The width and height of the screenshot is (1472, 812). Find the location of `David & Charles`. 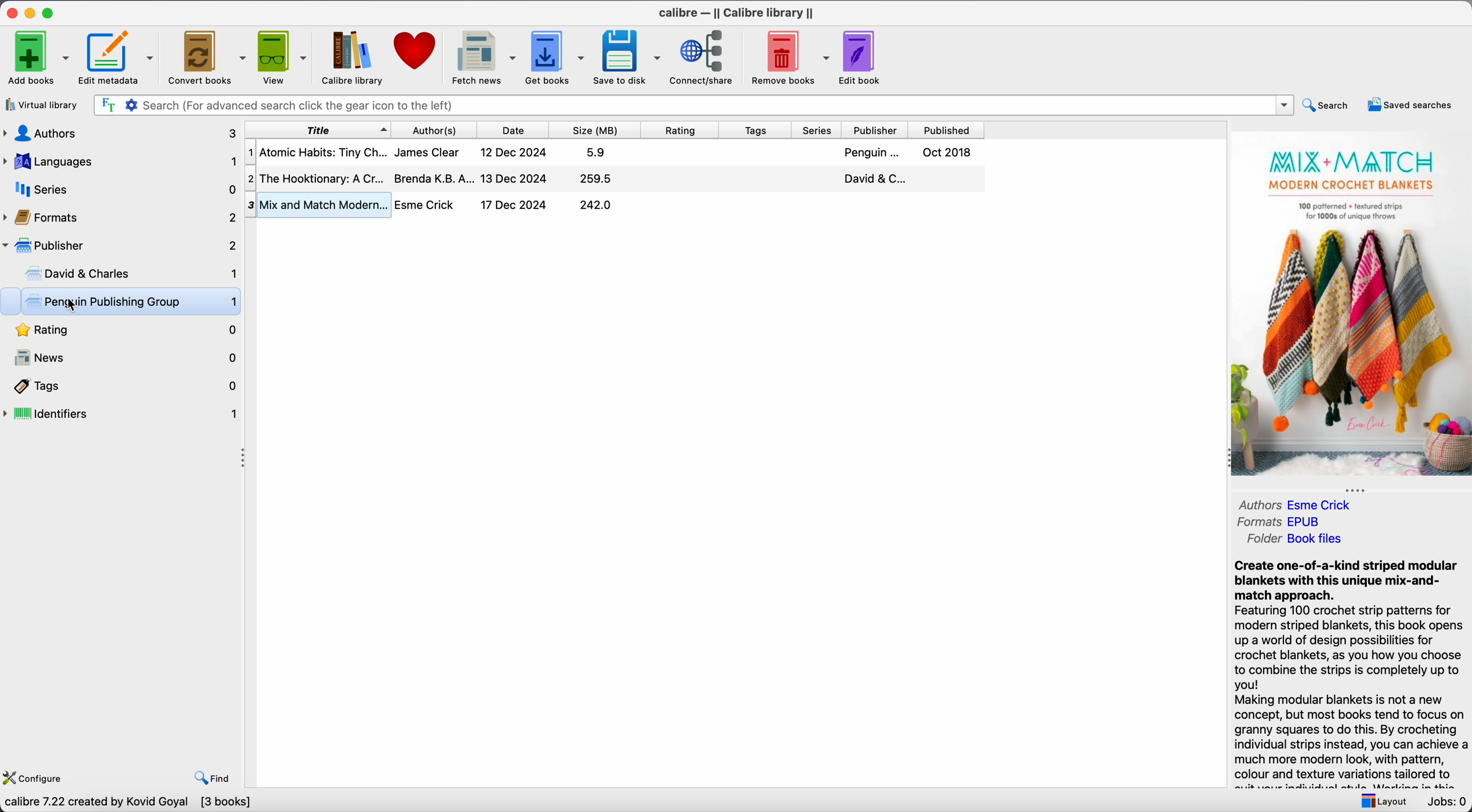

David & Charles is located at coordinates (129, 275).